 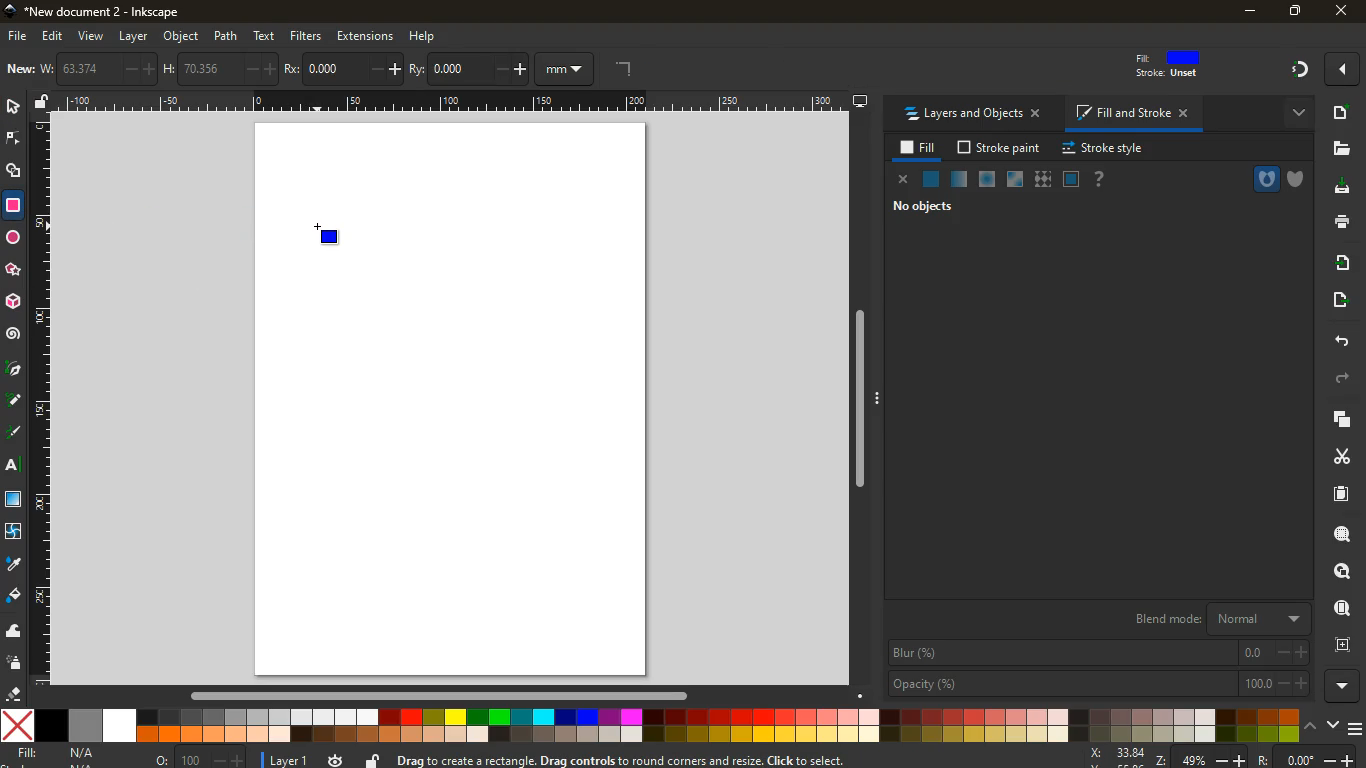 What do you see at coordinates (1042, 179) in the screenshot?
I see `texture` at bounding box center [1042, 179].